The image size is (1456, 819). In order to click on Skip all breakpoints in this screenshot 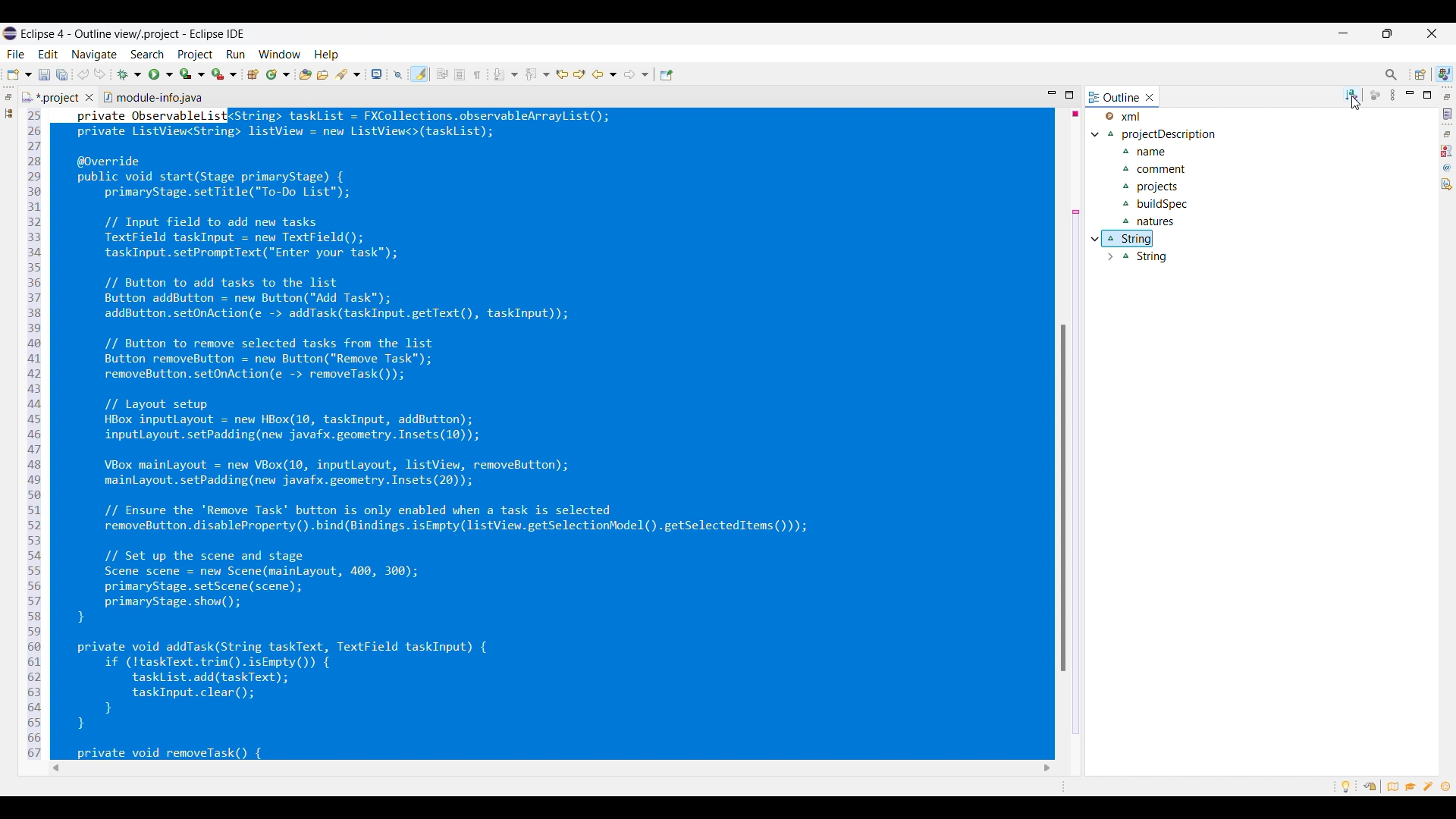, I will do `click(398, 75)`.